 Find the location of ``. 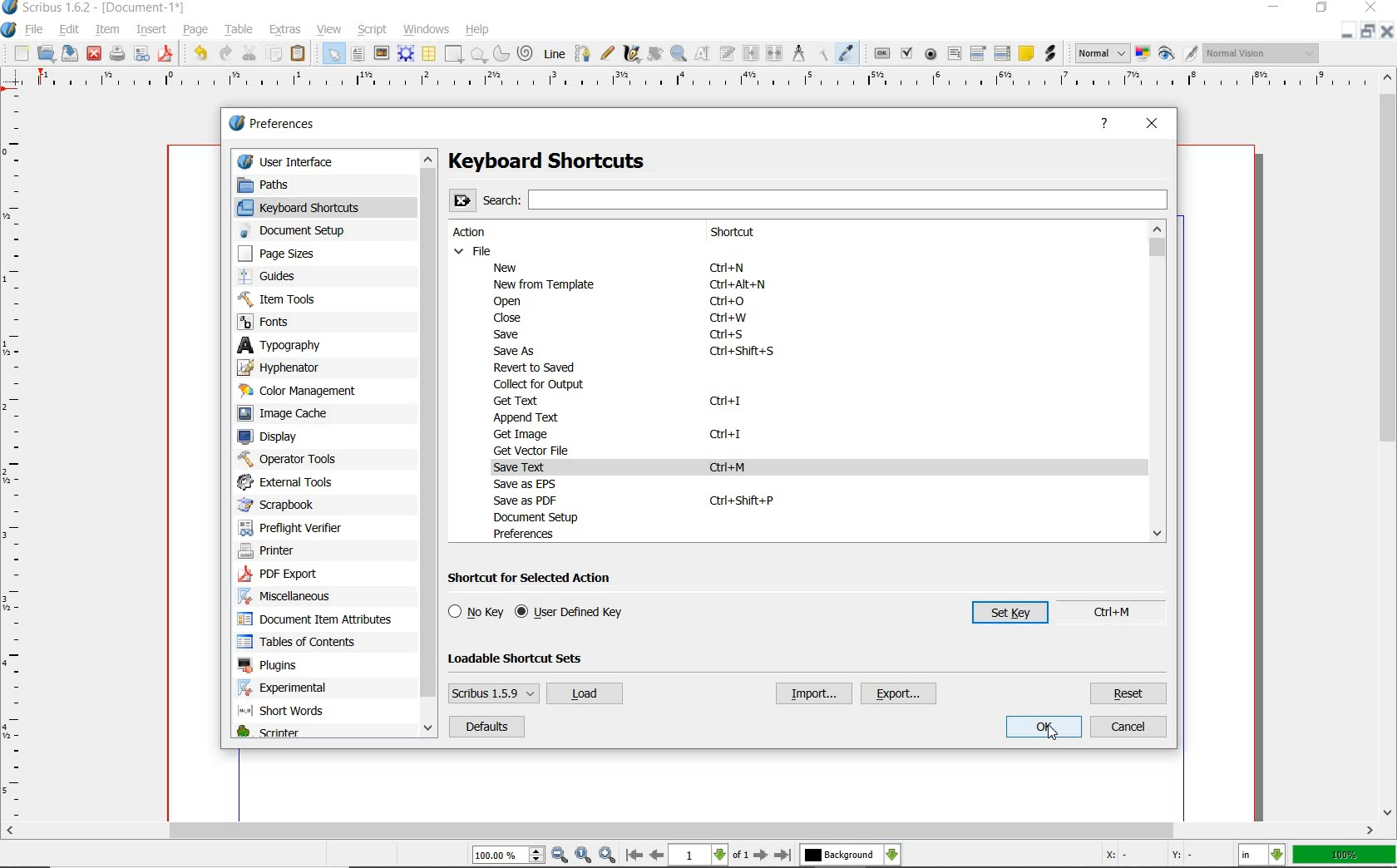

 is located at coordinates (141, 57).